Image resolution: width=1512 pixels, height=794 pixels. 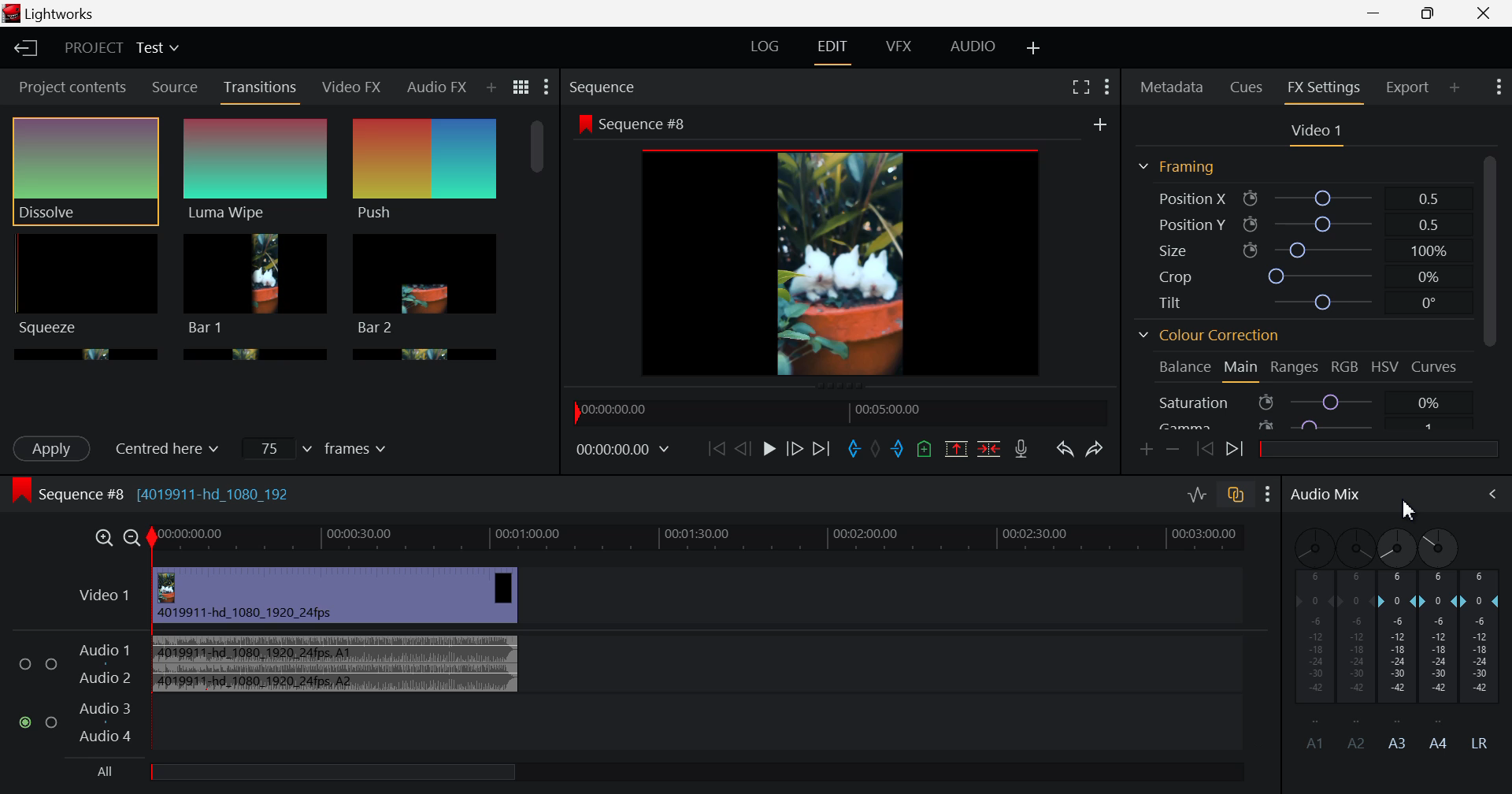 I want to click on A1 Channel disabled, so click(x=1308, y=639).